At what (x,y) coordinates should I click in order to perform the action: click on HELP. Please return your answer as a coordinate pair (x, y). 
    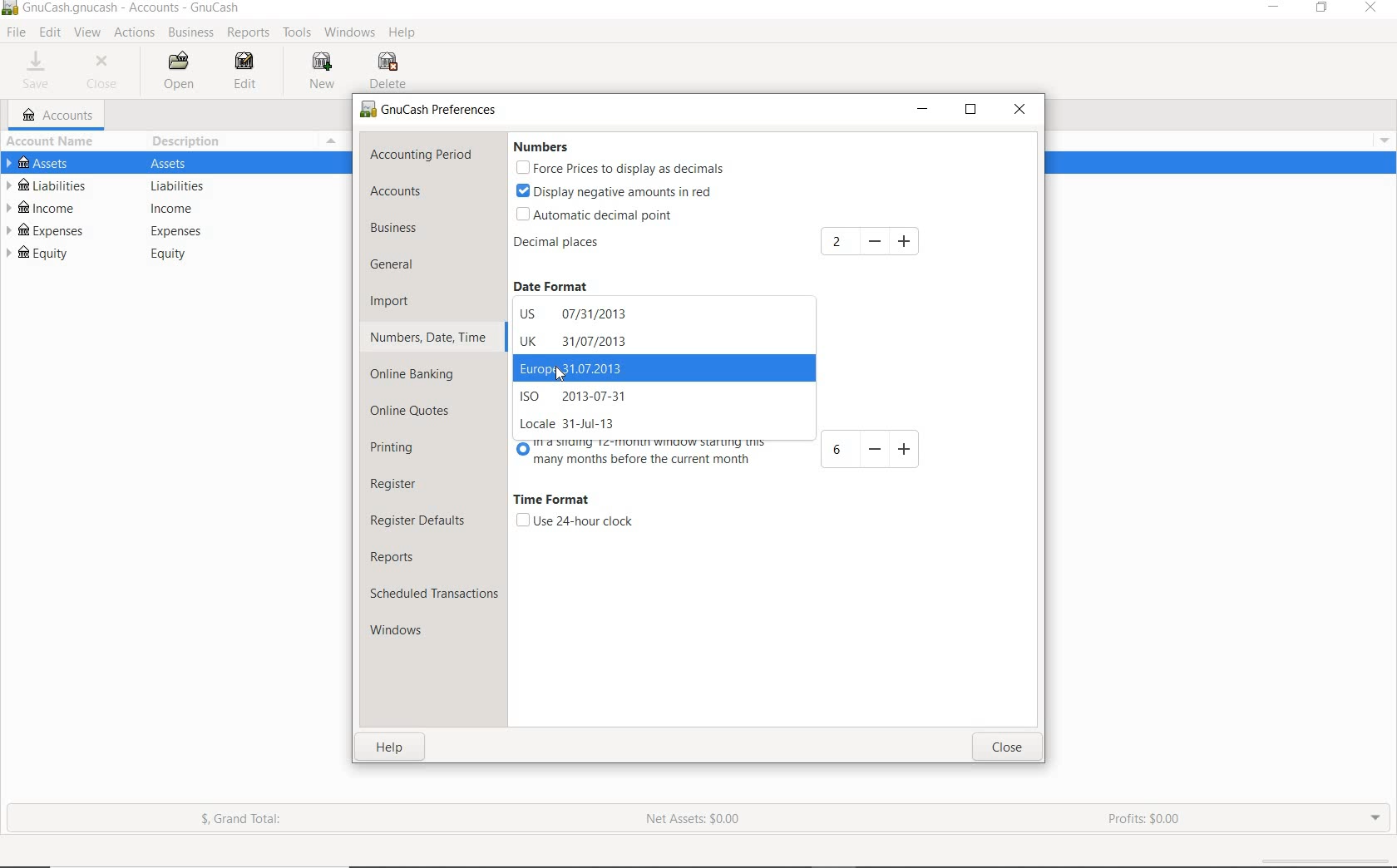
    Looking at the image, I should click on (403, 33).